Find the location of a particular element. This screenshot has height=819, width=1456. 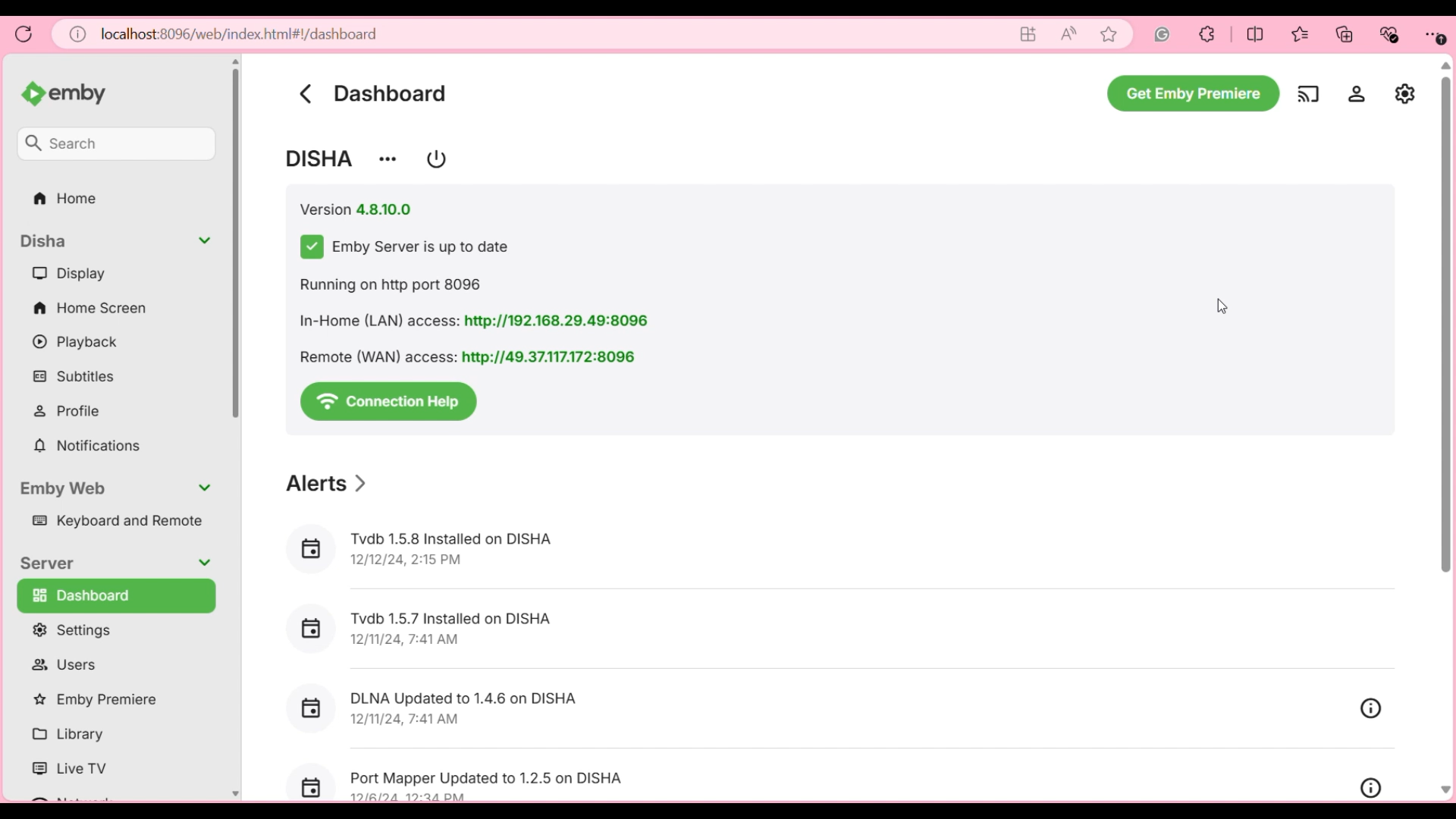

Restart/Shutdown server is located at coordinates (436, 159).